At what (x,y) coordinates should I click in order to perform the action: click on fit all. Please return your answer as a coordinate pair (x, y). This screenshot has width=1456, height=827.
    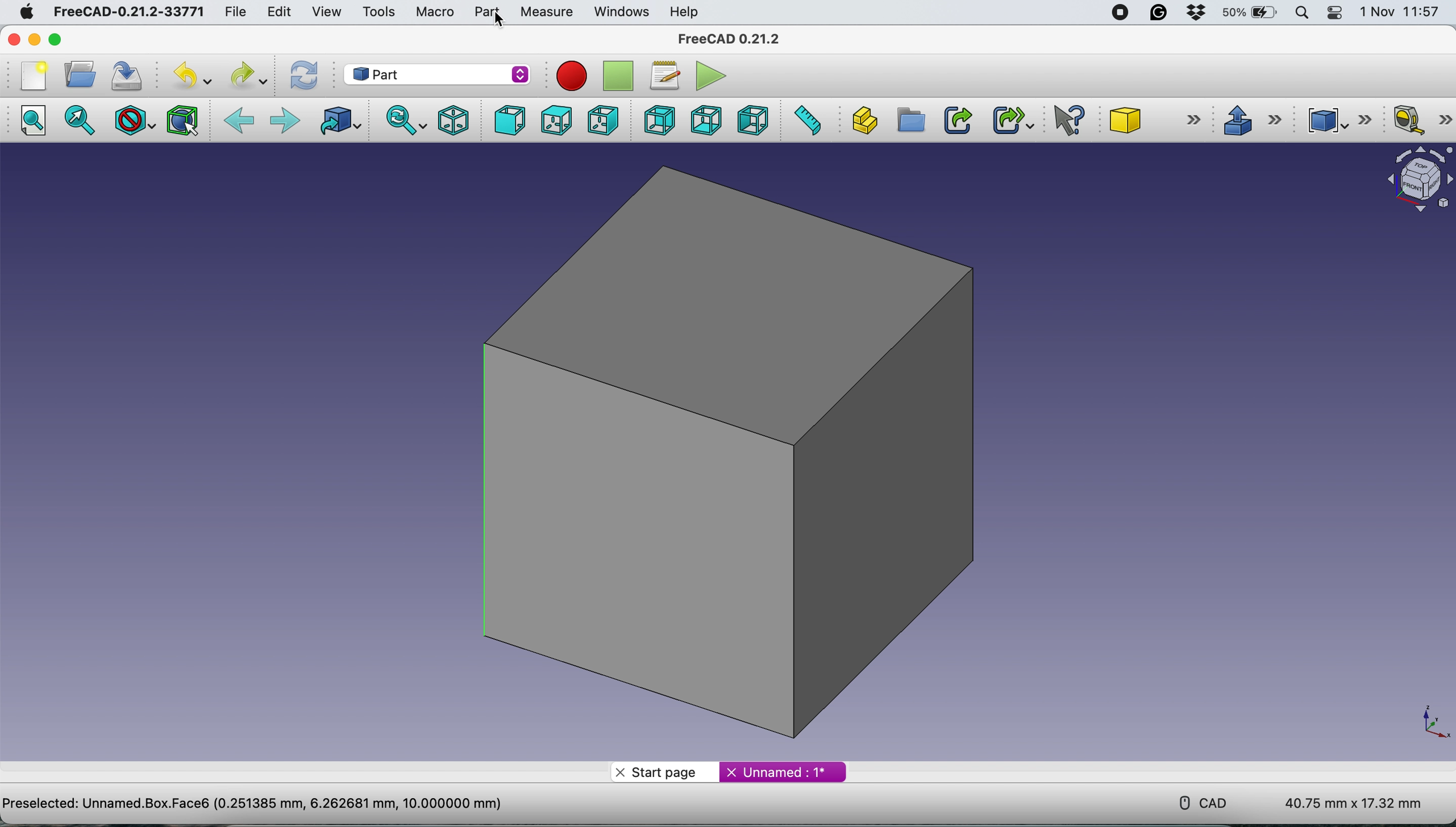
    Looking at the image, I should click on (31, 121).